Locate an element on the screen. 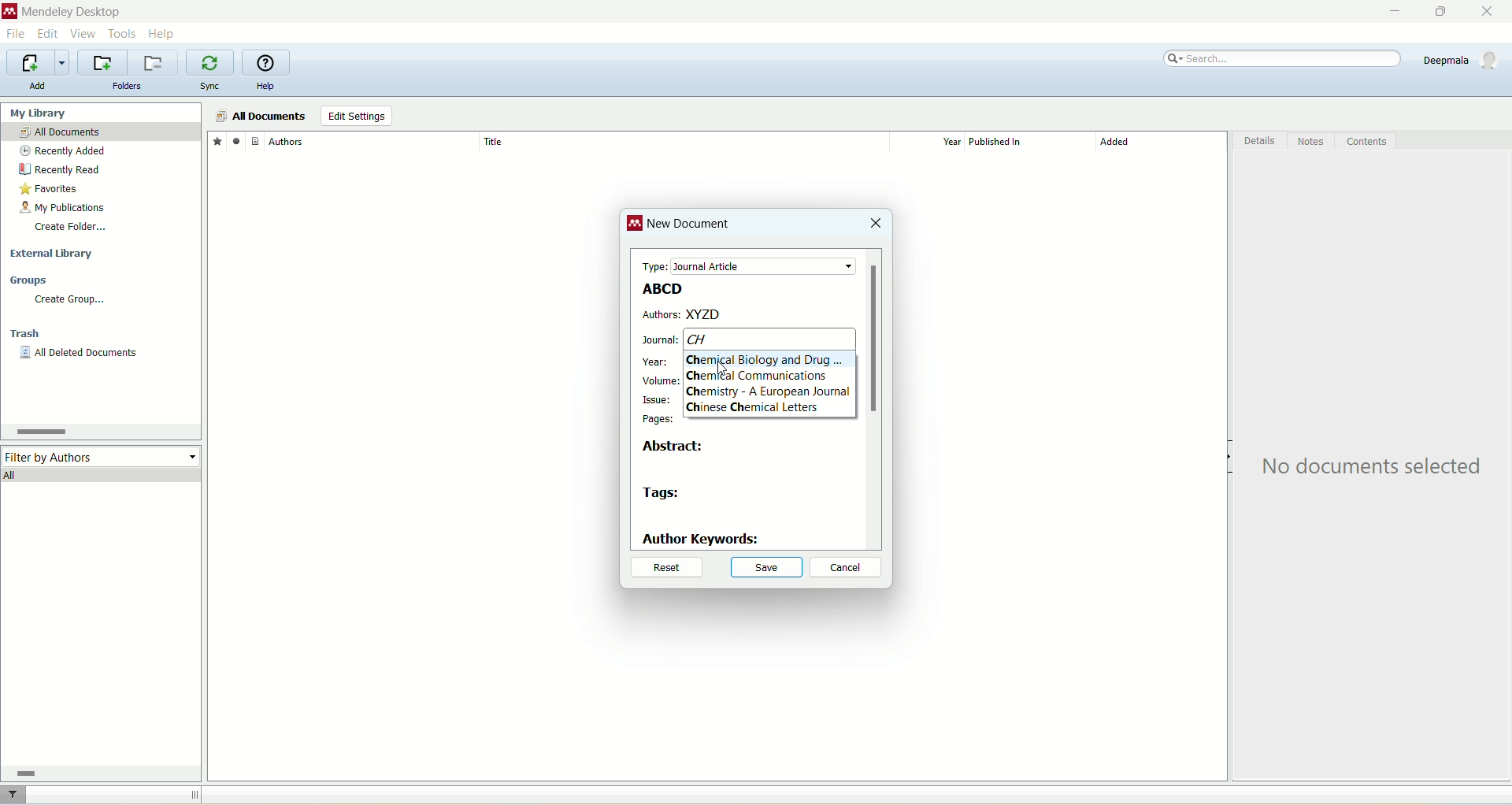 Image resolution: width=1512 pixels, height=805 pixels. maximize is located at coordinates (1437, 12).